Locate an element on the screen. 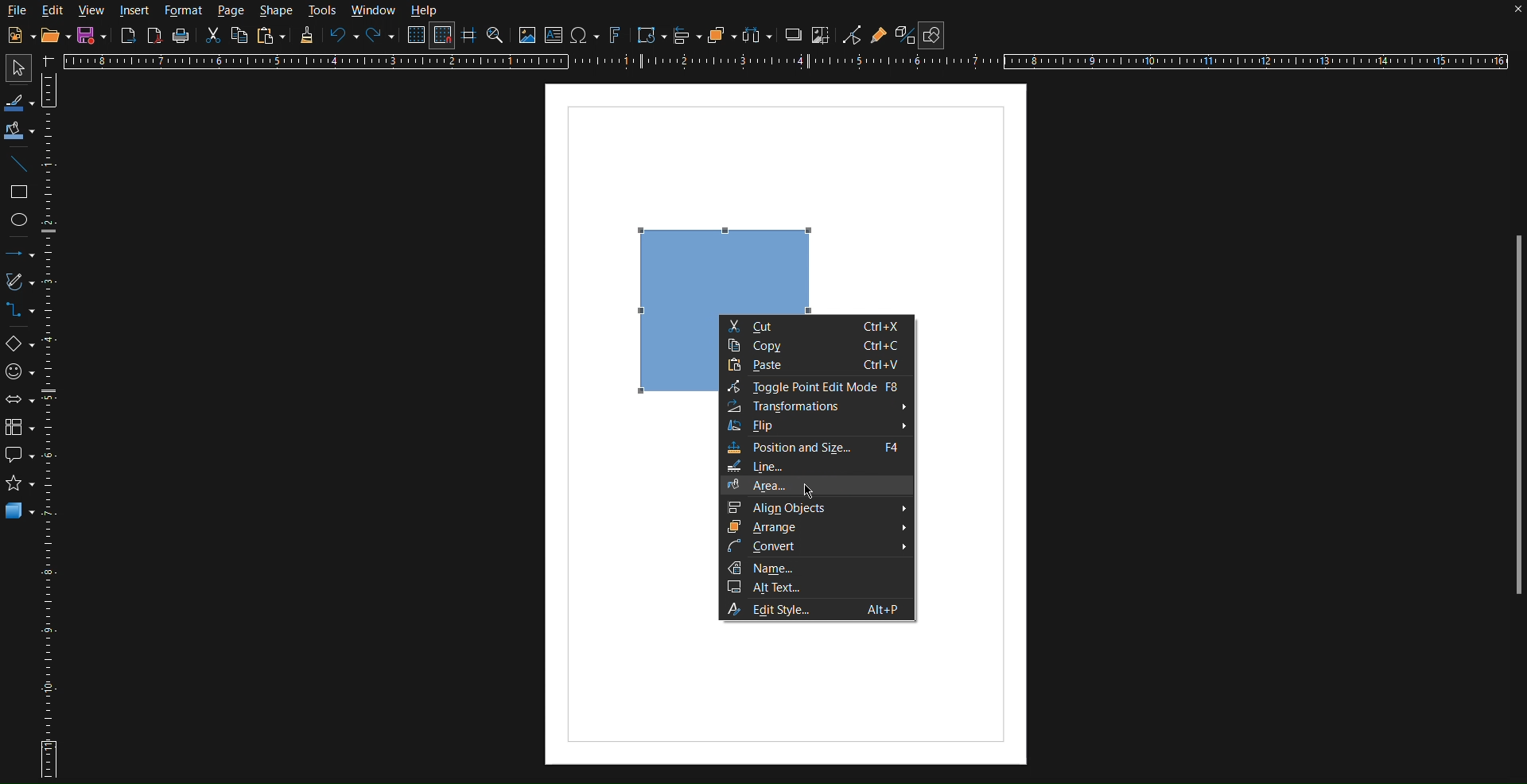  Transformations is located at coordinates (648, 35).